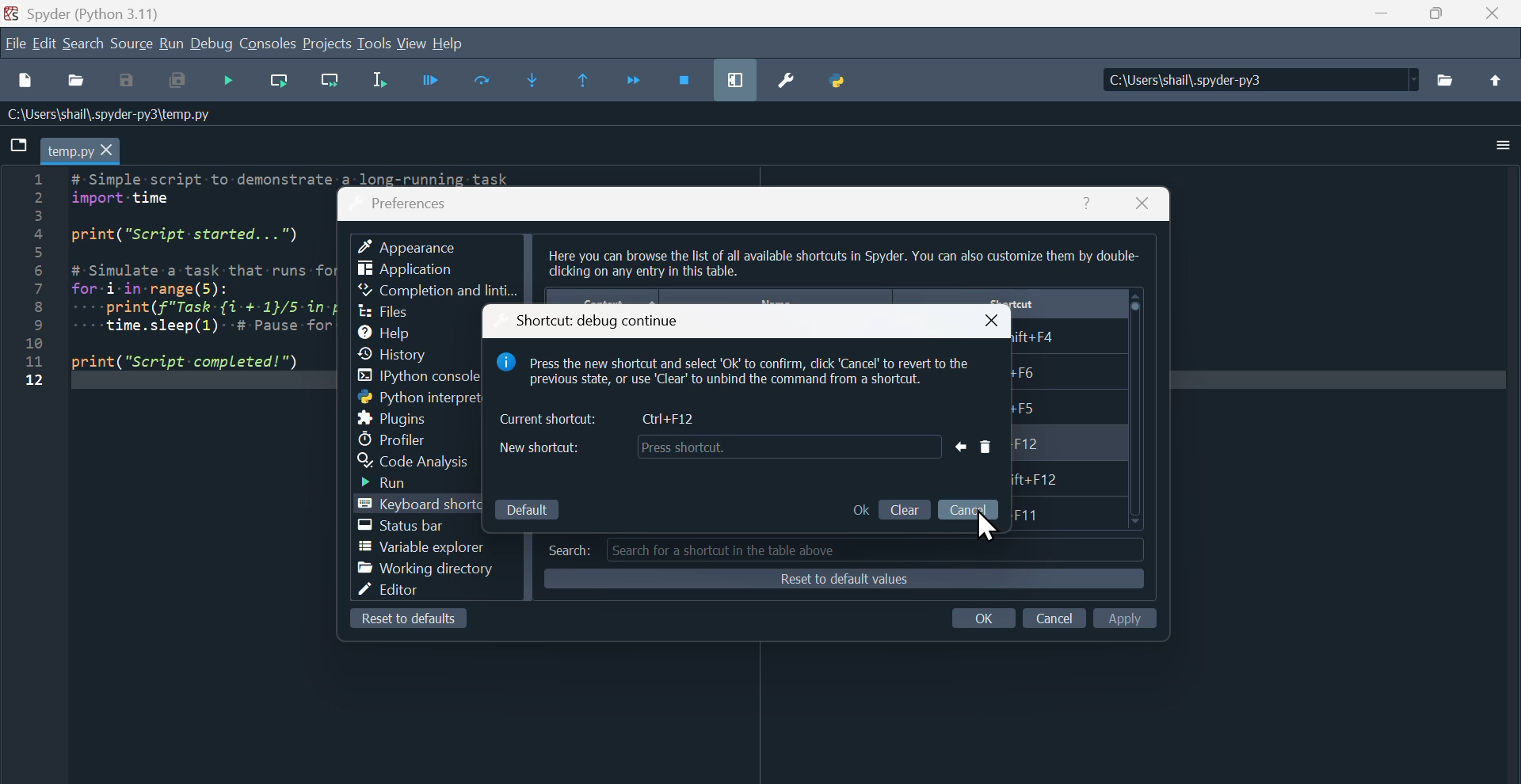 This screenshot has height=784, width=1521. I want to click on Run current line and go to the next one, so click(330, 83).